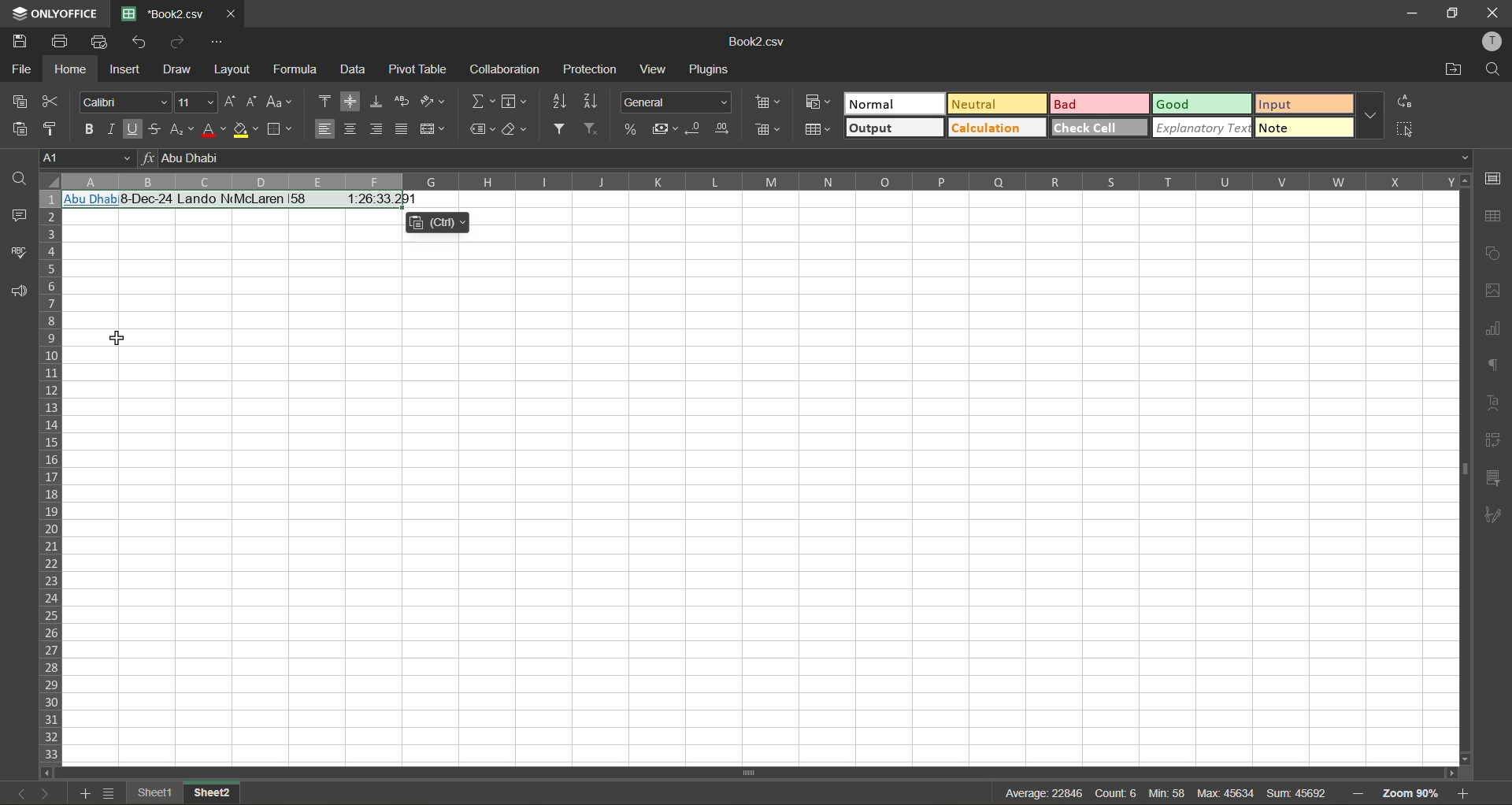 The width and height of the screenshot is (1512, 805). What do you see at coordinates (506, 69) in the screenshot?
I see `collaboration` at bounding box center [506, 69].